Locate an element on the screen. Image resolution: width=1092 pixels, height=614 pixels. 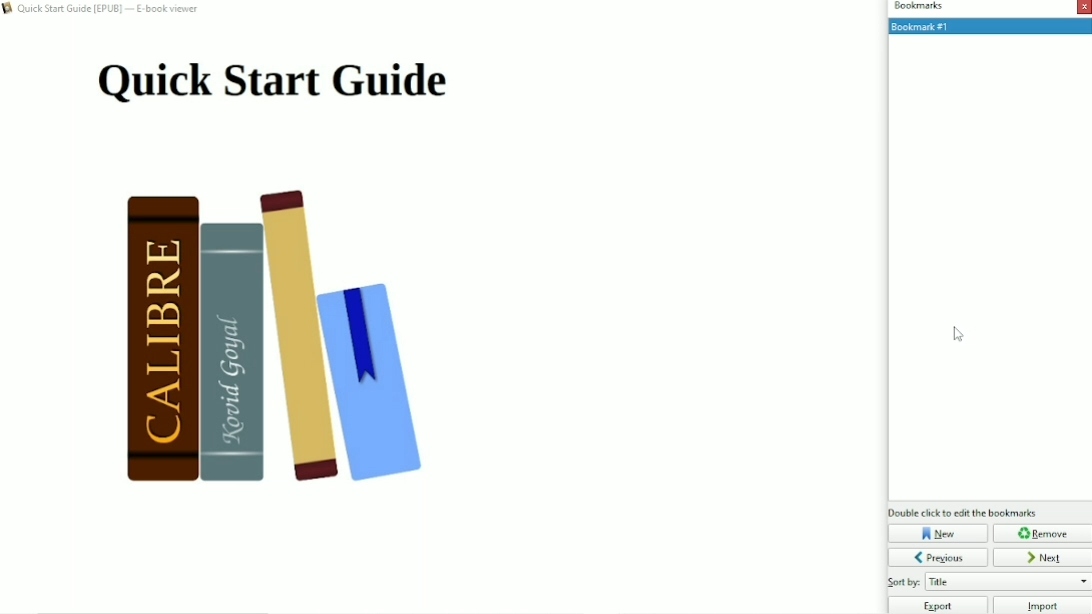
Remove is located at coordinates (1042, 533).